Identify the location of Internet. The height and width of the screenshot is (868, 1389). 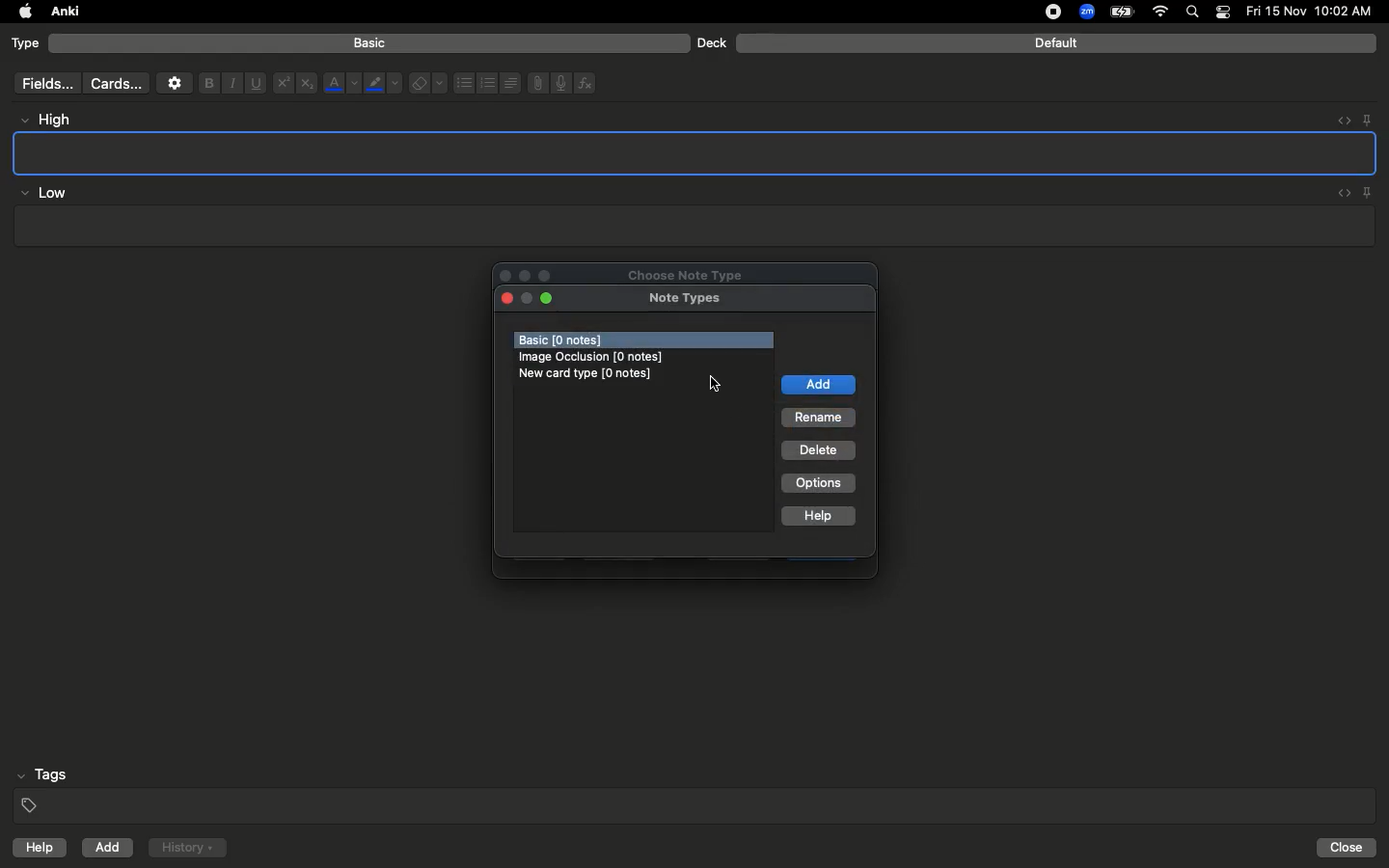
(1162, 13).